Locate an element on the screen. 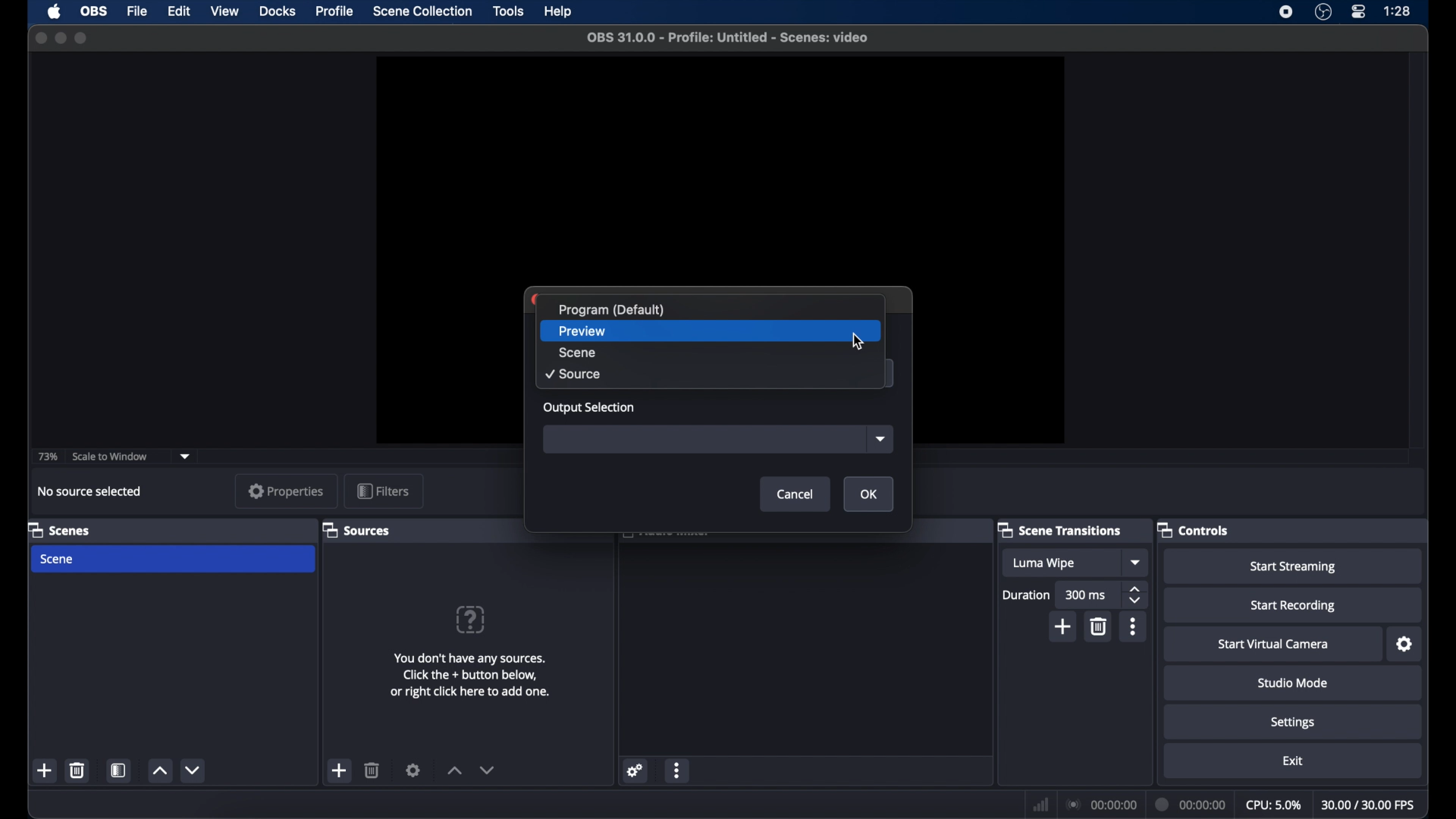 This screenshot has width=1456, height=819. increment is located at coordinates (453, 771).